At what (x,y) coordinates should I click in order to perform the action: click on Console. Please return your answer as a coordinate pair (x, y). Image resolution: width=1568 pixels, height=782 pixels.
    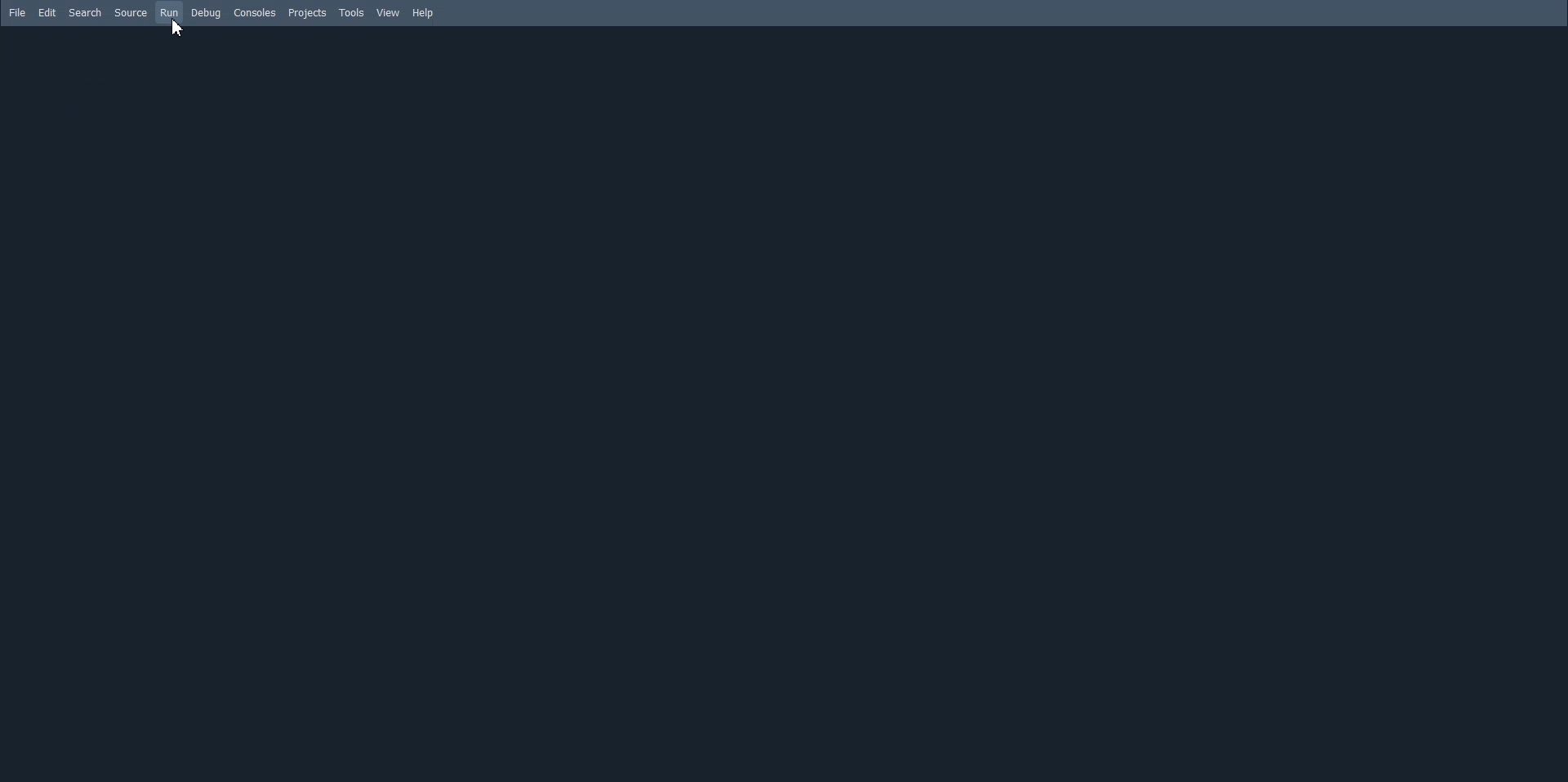
    Looking at the image, I should click on (255, 12).